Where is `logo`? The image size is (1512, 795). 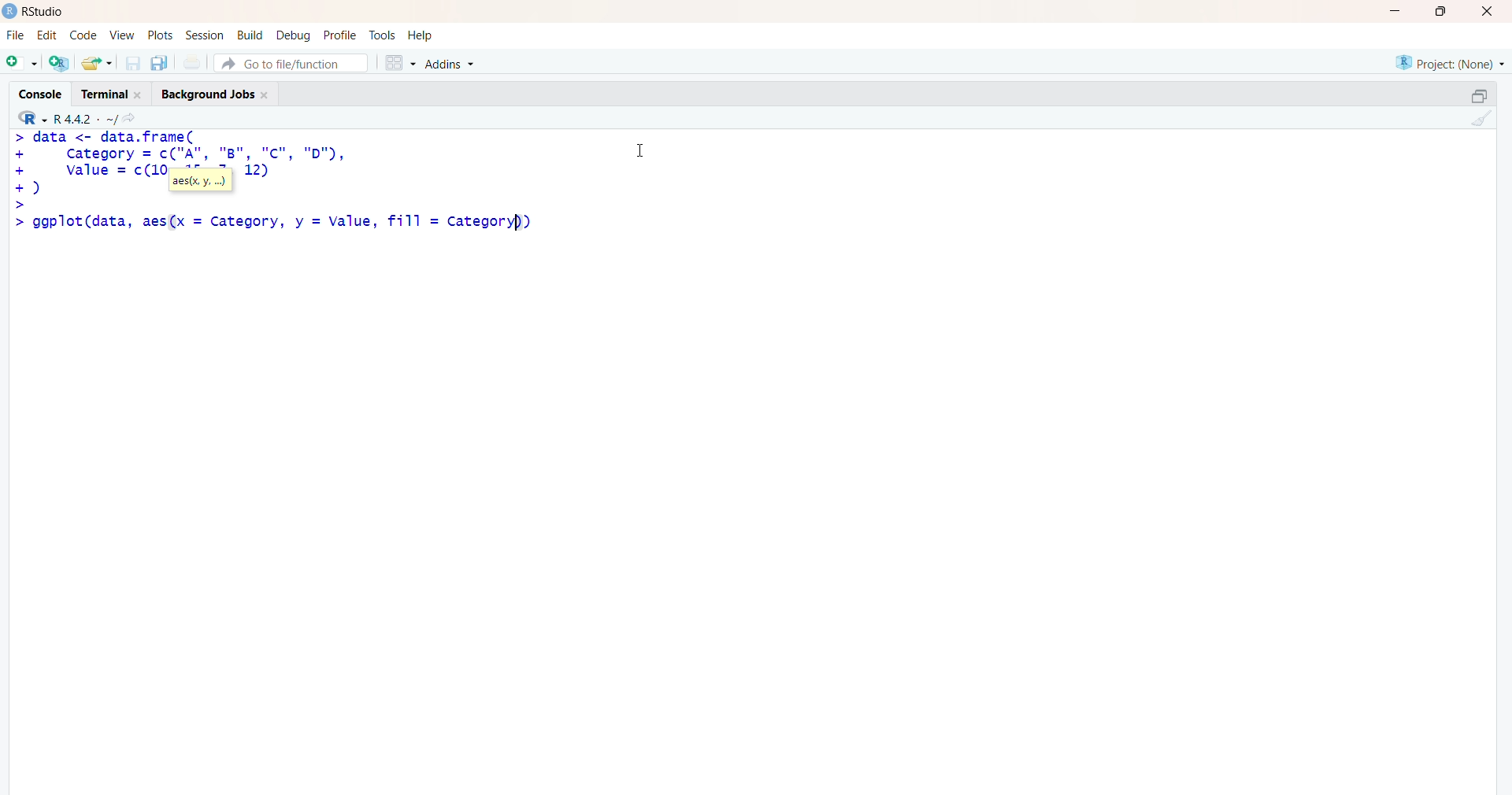 logo is located at coordinates (10, 11).